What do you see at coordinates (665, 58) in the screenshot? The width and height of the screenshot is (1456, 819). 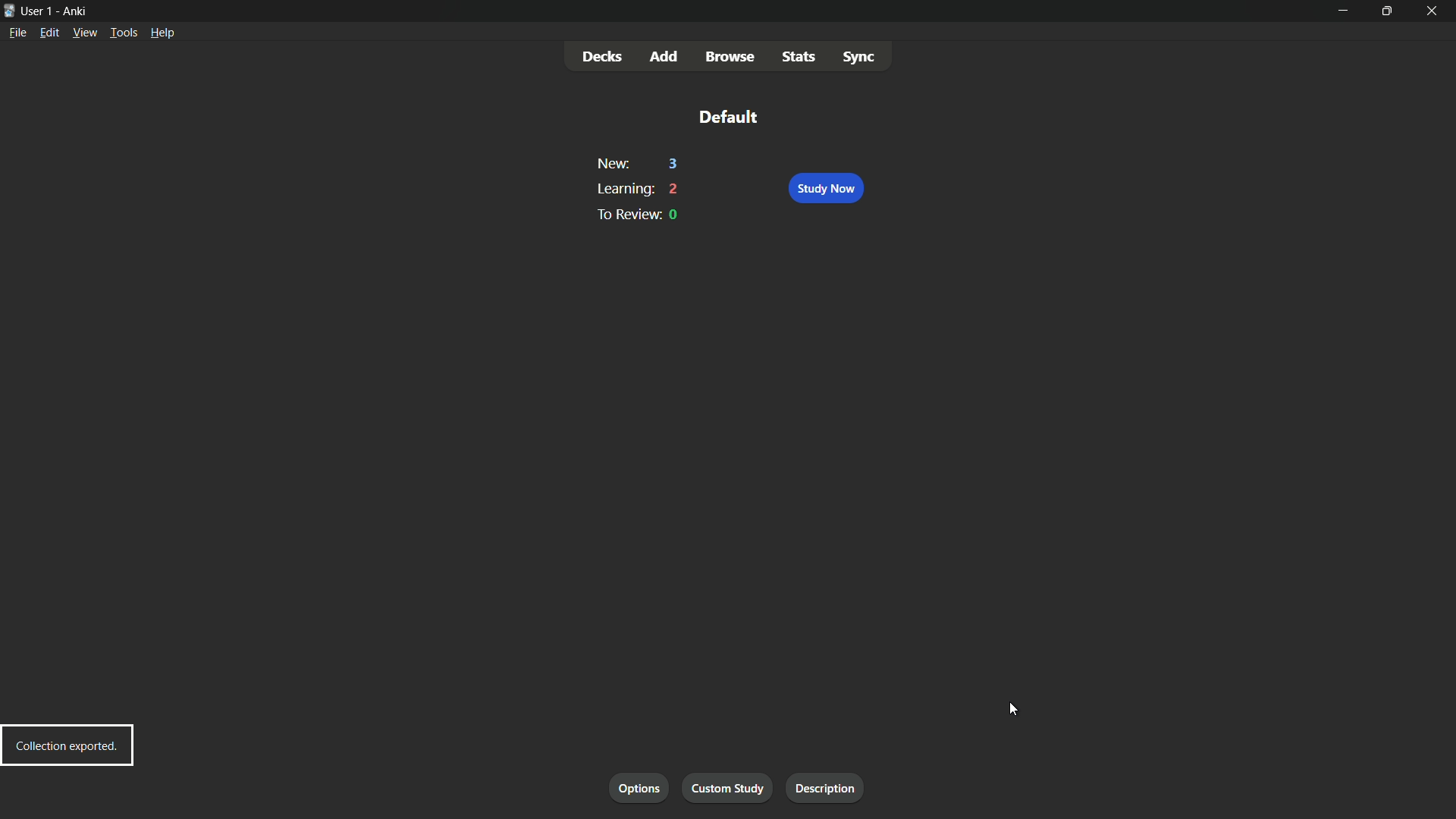 I see `add` at bounding box center [665, 58].